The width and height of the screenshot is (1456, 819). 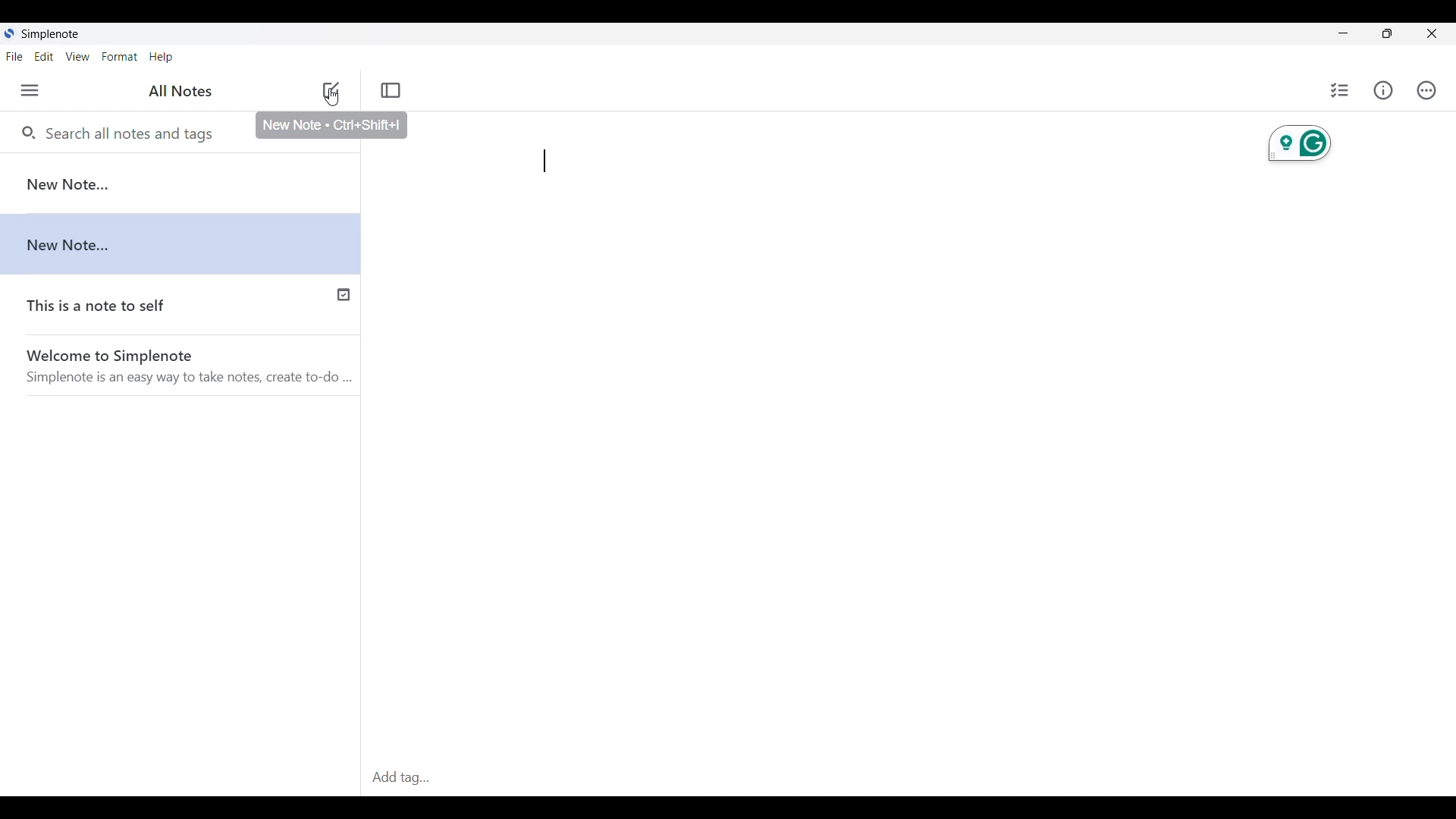 What do you see at coordinates (146, 302) in the screenshot?
I see `This is a note to self` at bounding box center [146, 302].